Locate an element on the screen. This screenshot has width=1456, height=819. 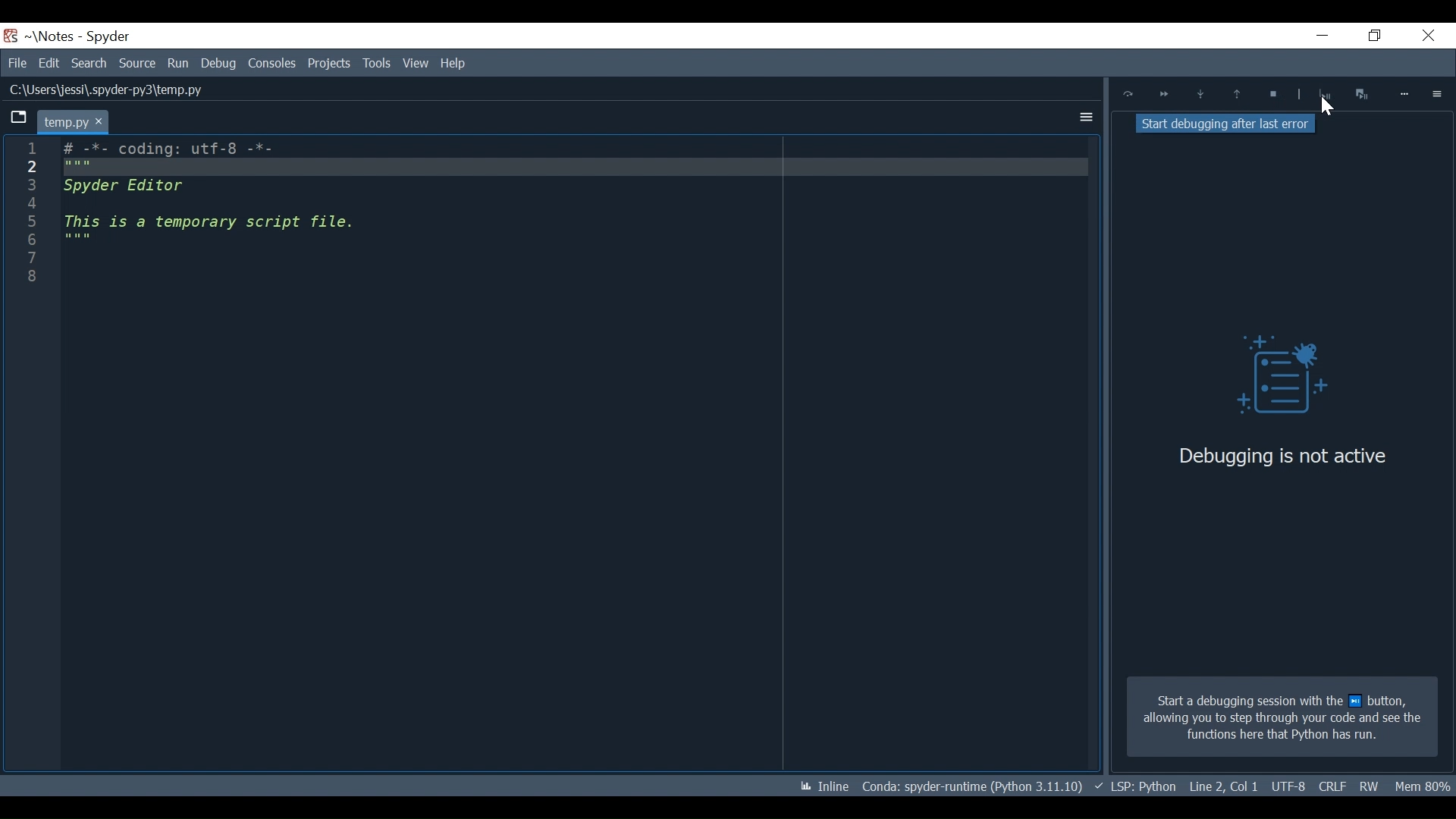
Continue ExecutionUntil next breakpoint is located at coordinates (1163, 96).